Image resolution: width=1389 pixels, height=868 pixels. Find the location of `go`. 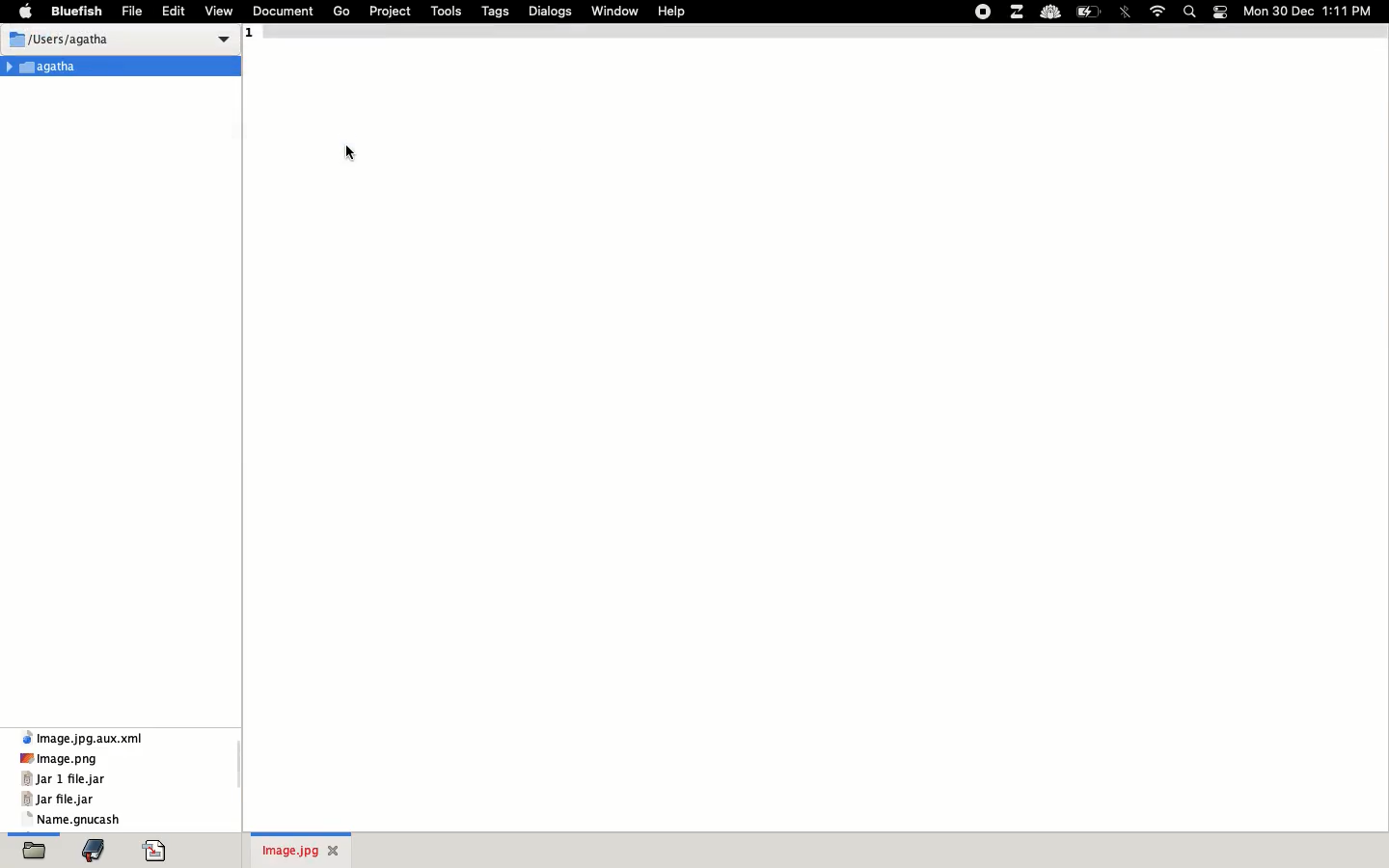

go is located at coordinates (344, 10).